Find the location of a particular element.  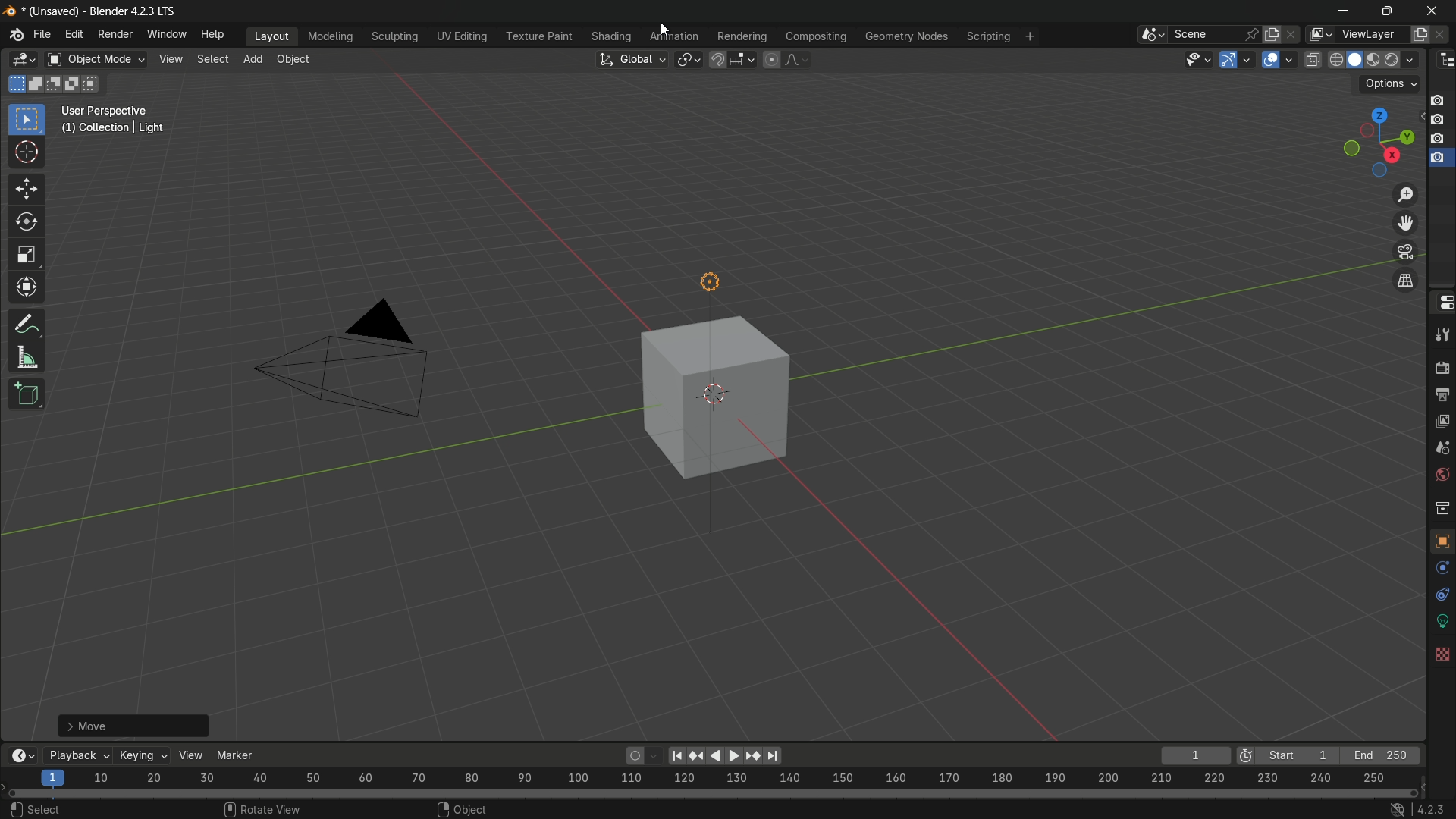

view layer name is located at coordinates (1370, 34).